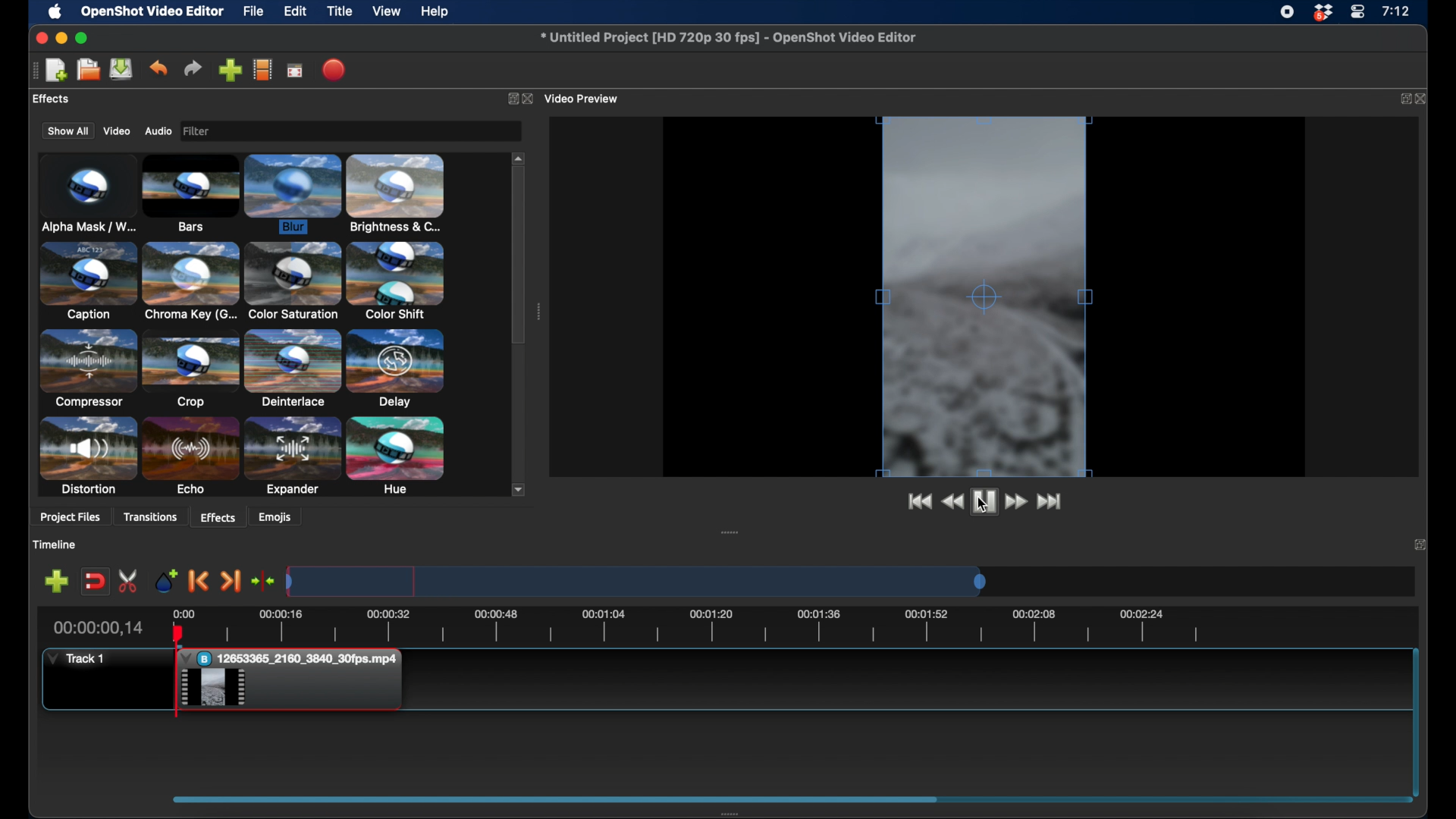  Describe the element at coordinates (77, 659) in the screenshot. I see `track 1` at that location.